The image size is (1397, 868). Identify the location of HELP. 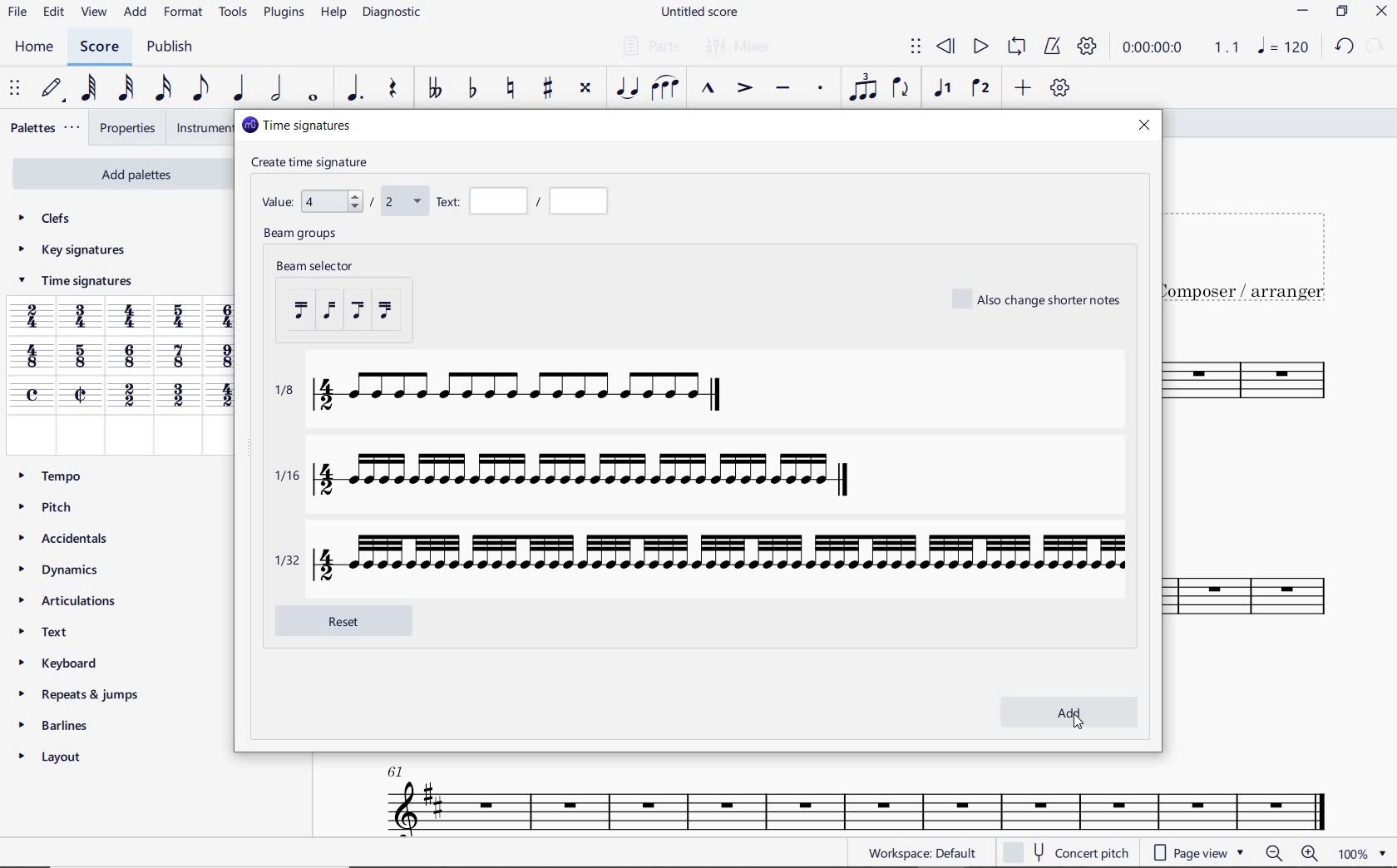
(333, 14).